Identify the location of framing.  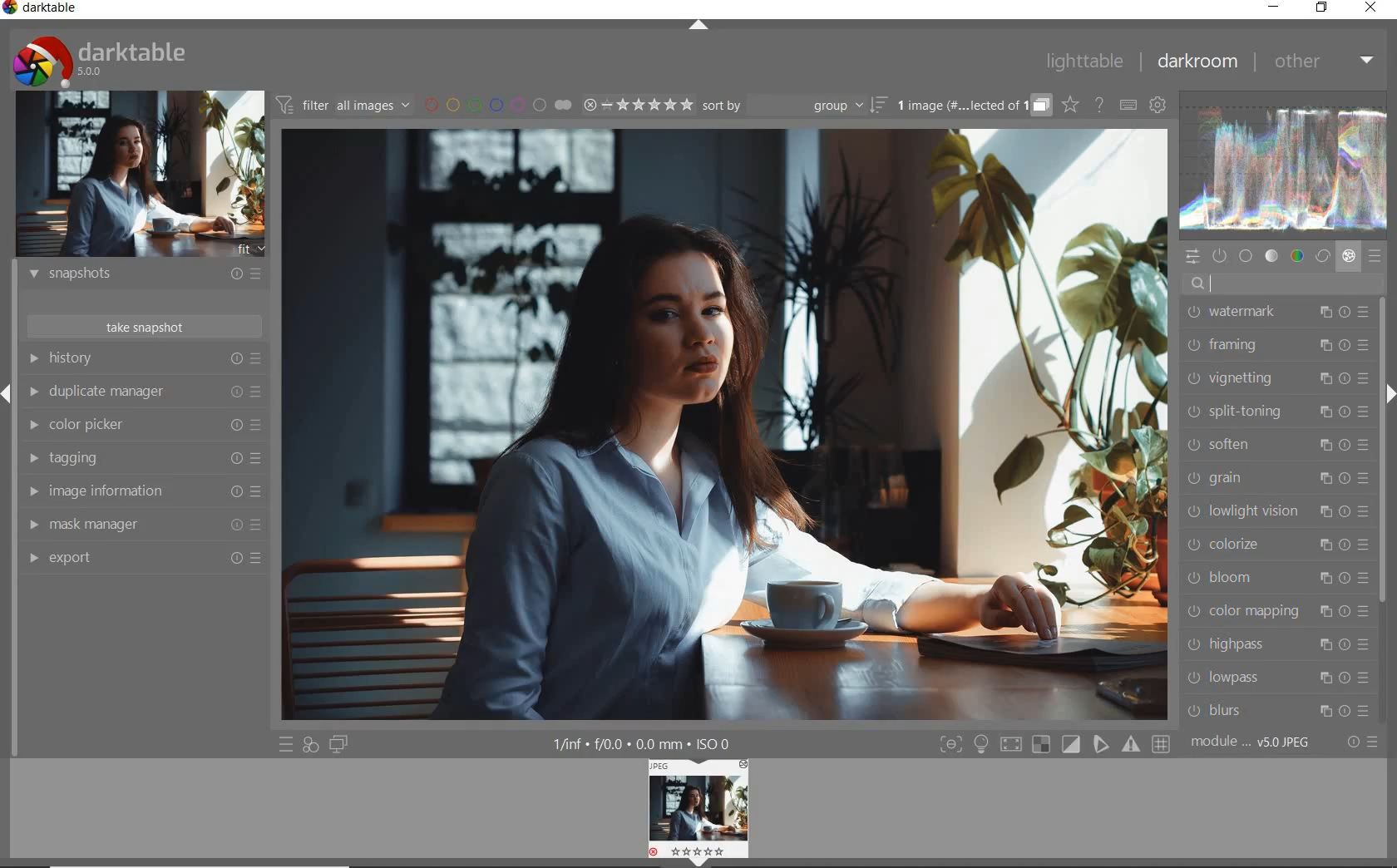
(1275, 349).